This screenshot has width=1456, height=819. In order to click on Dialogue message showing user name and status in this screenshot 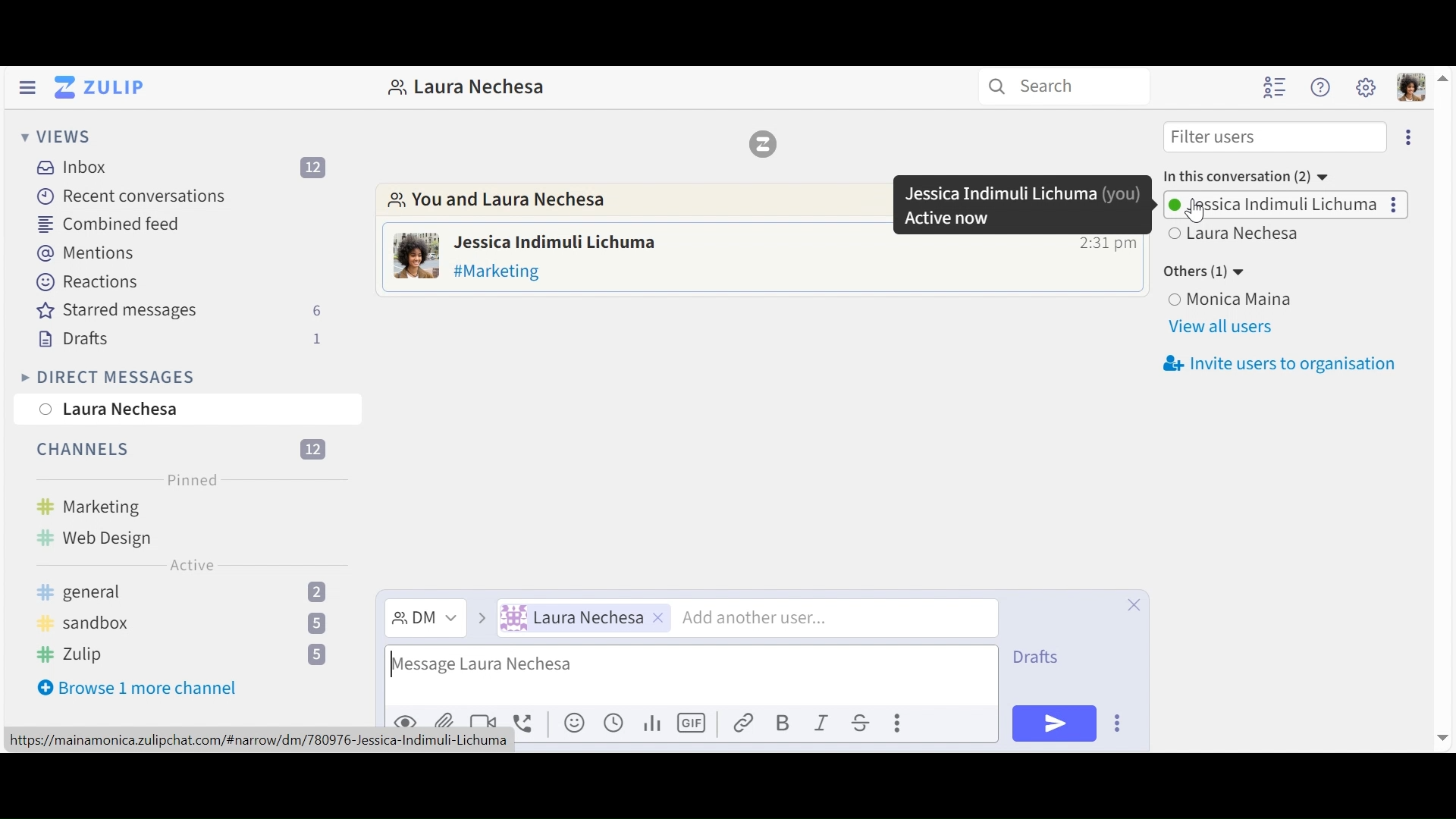, I will do `click(1021, 204)`.